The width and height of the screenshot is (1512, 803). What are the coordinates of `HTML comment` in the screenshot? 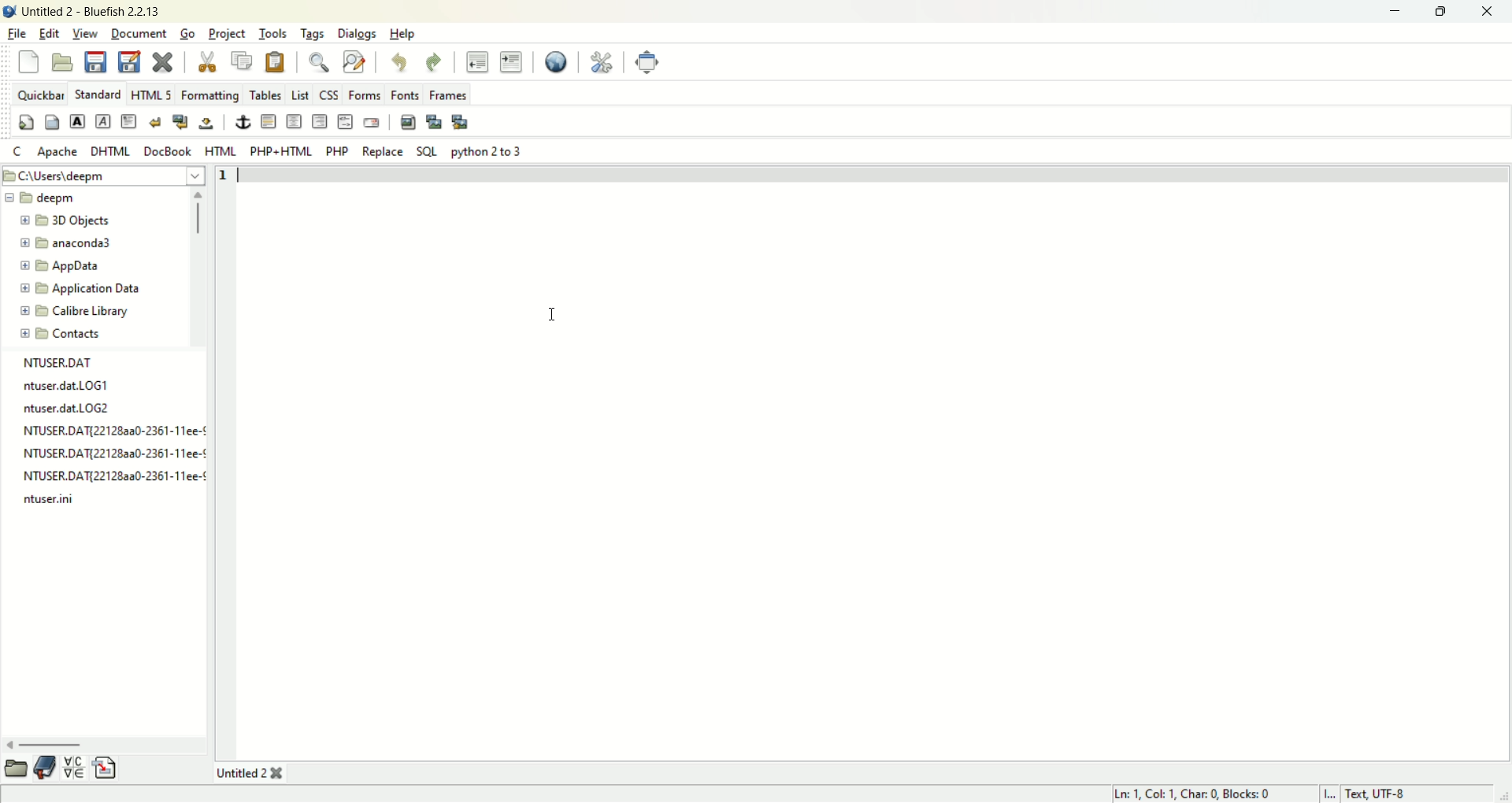 It's located at (345, 122).